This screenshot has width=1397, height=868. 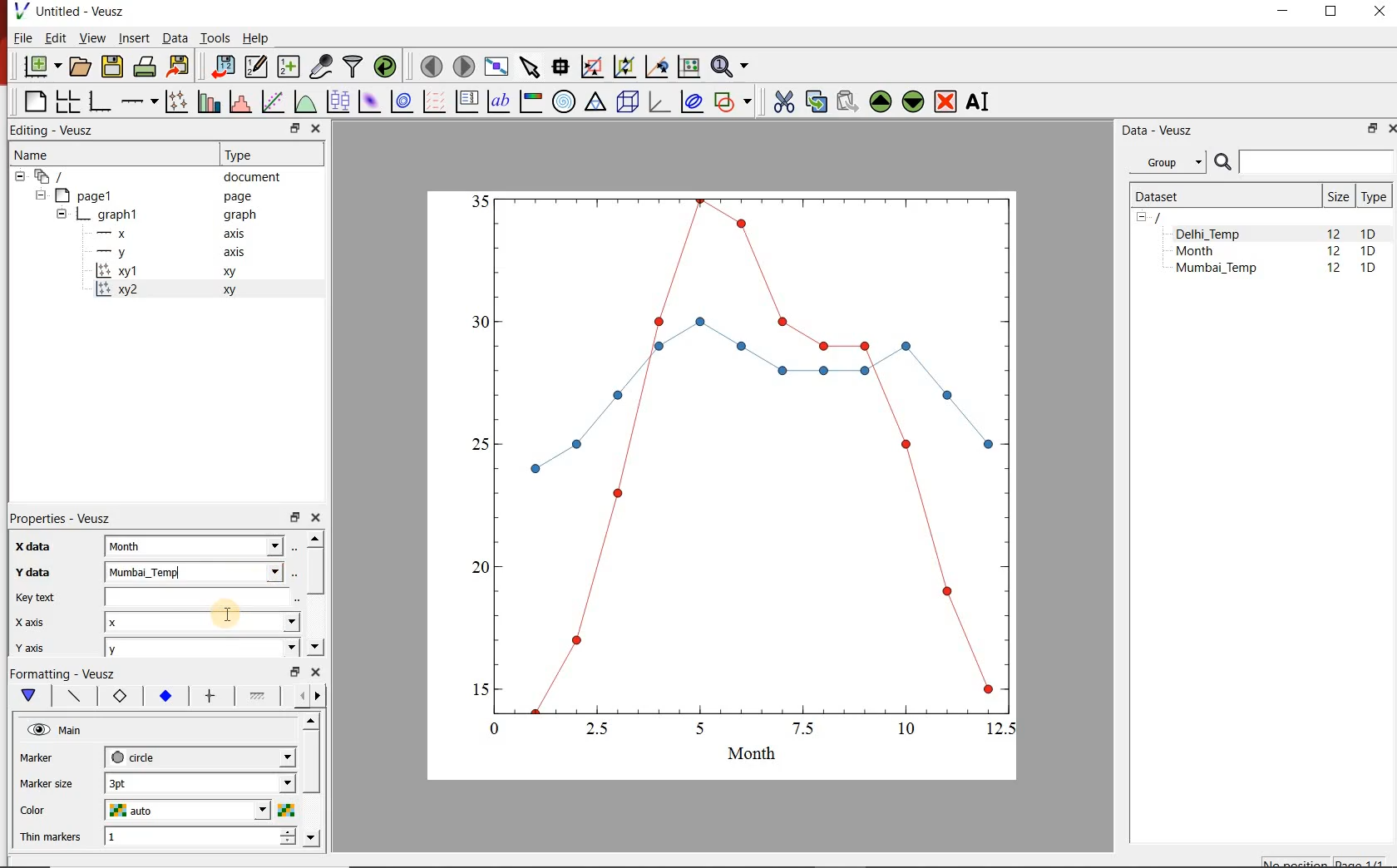 I want to click on 12, so click(x=1333, y=233).